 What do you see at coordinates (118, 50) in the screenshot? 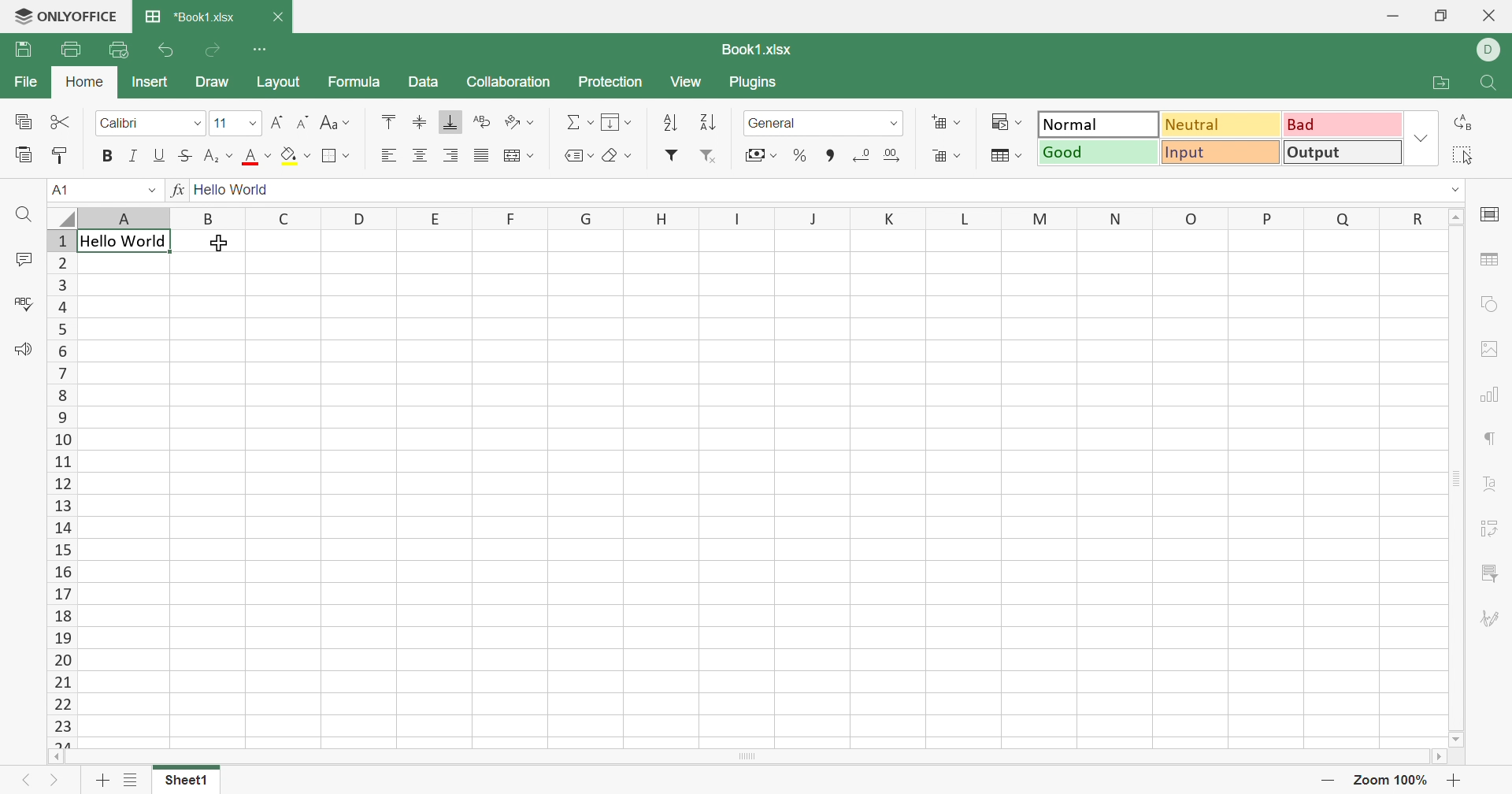
I see `Quick print` at bounding box center [118, 50].